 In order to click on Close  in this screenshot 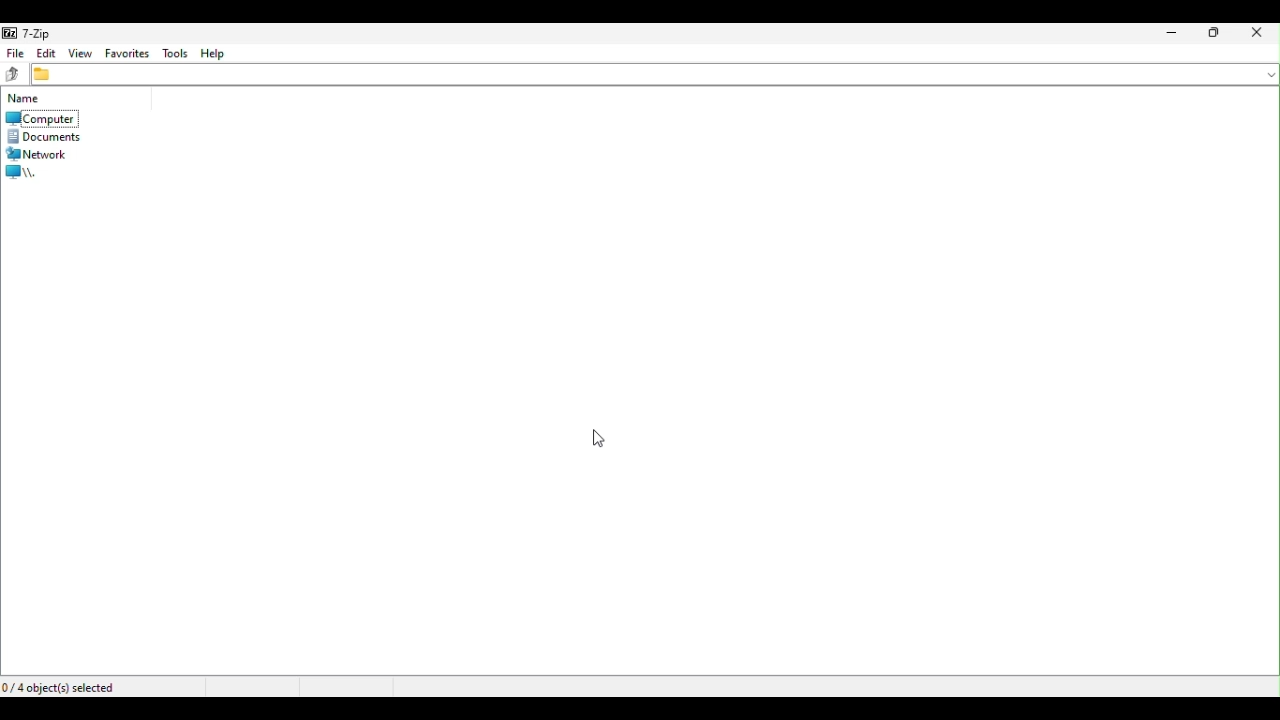, I will do `click(1255, 36)`.